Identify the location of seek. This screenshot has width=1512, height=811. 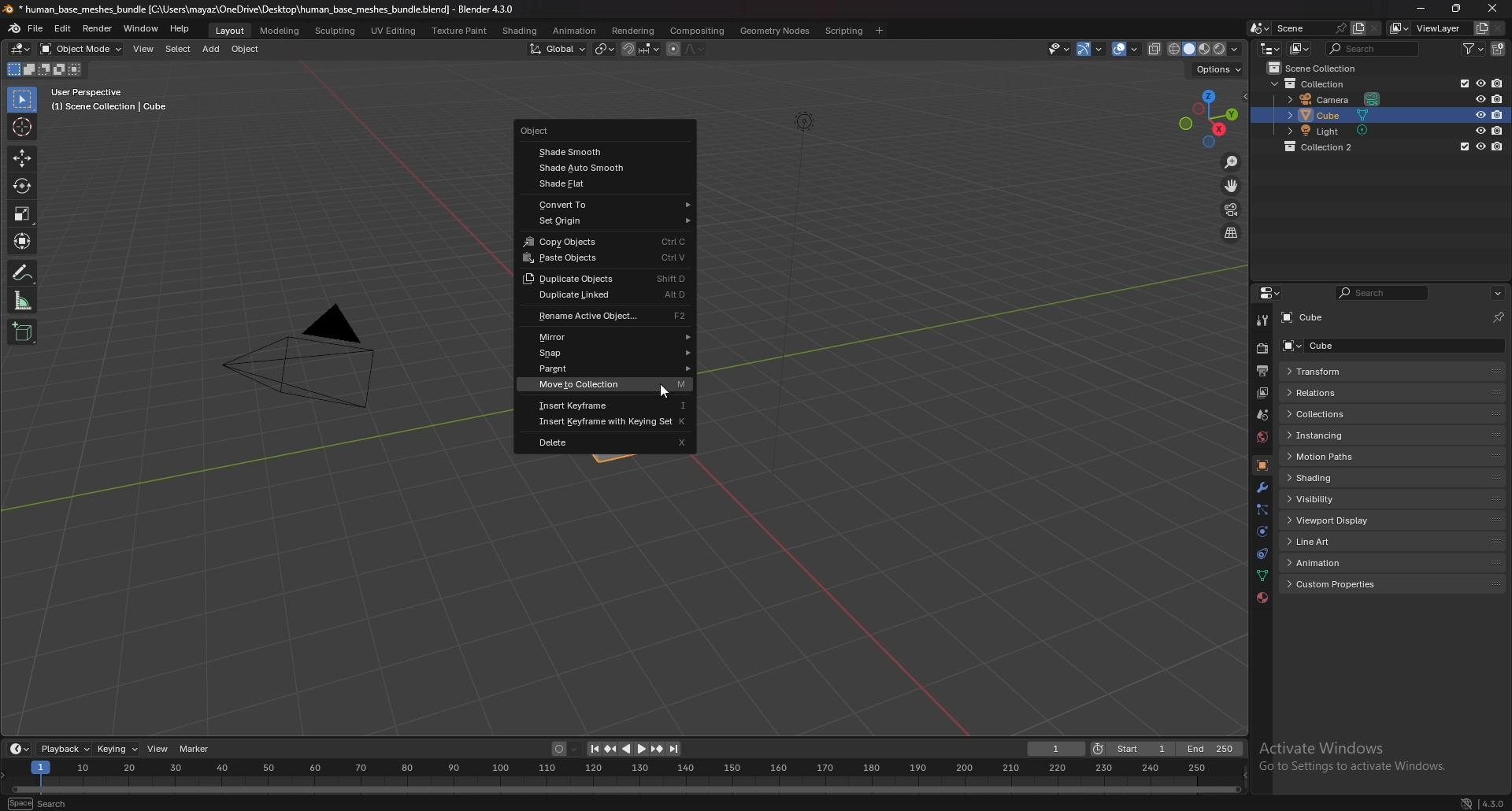
(624, 777).